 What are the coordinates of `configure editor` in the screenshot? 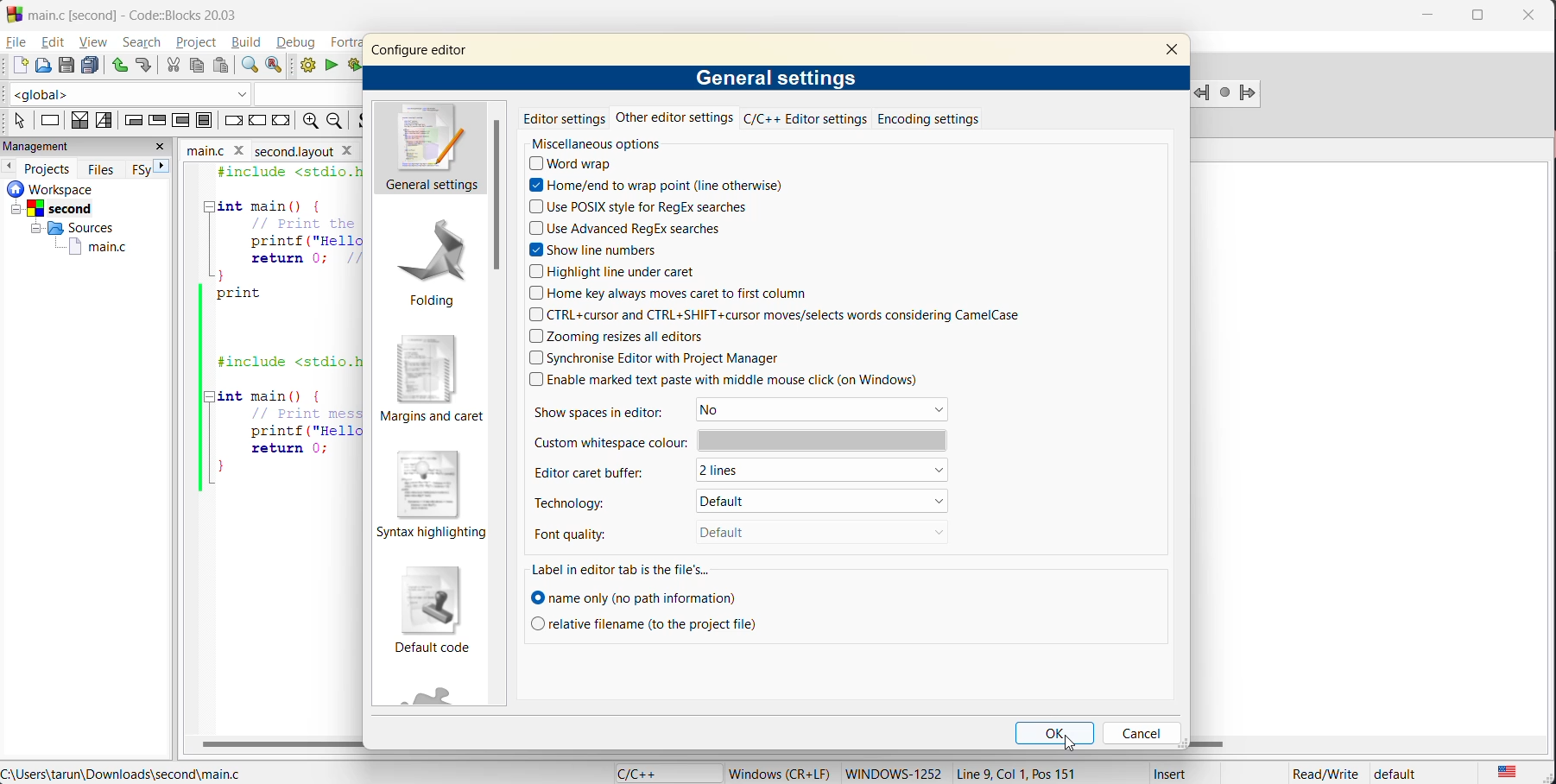 It's located at (420, 50).